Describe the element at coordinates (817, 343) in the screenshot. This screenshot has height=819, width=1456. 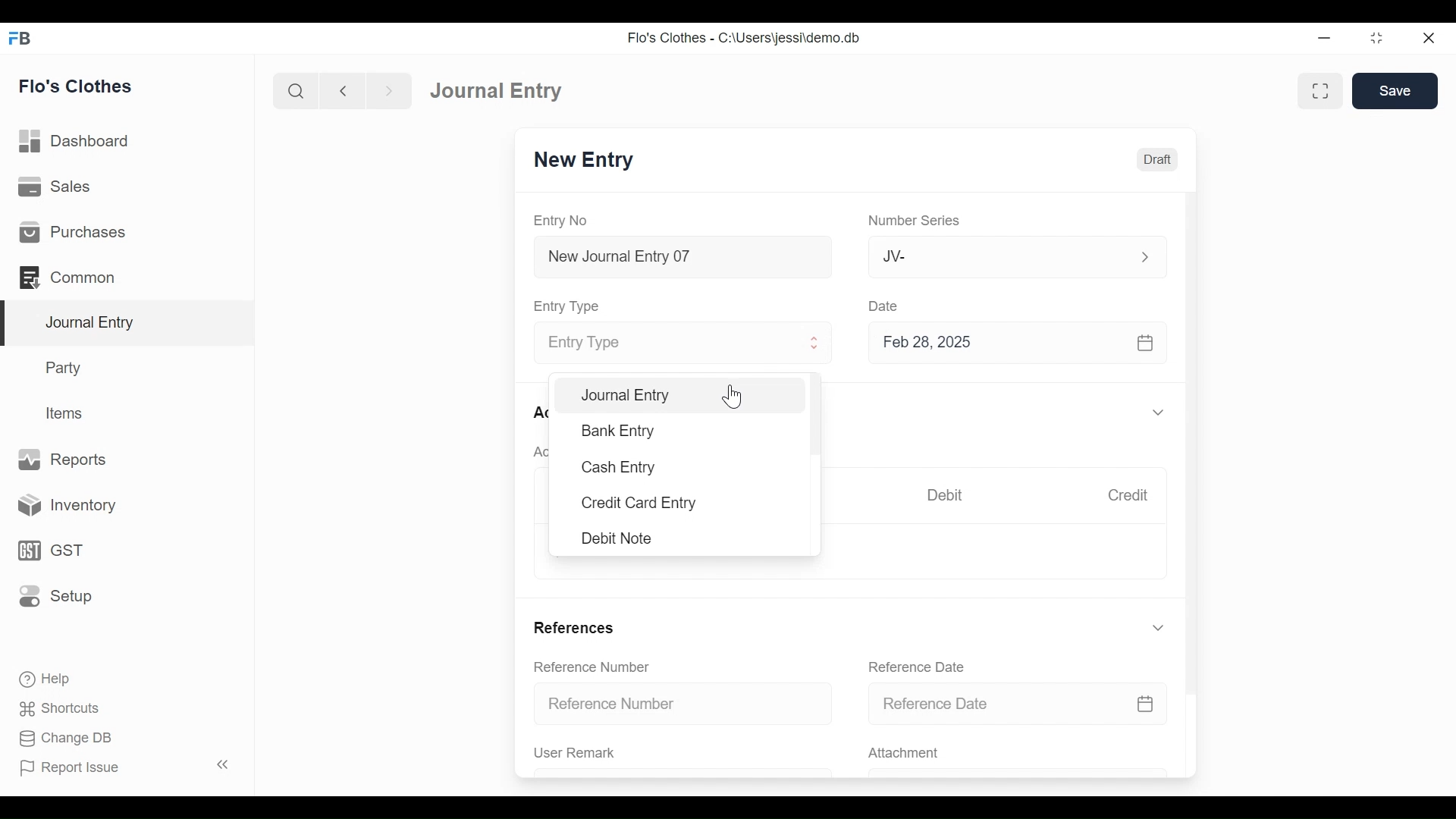
I see `Expand` at that location.